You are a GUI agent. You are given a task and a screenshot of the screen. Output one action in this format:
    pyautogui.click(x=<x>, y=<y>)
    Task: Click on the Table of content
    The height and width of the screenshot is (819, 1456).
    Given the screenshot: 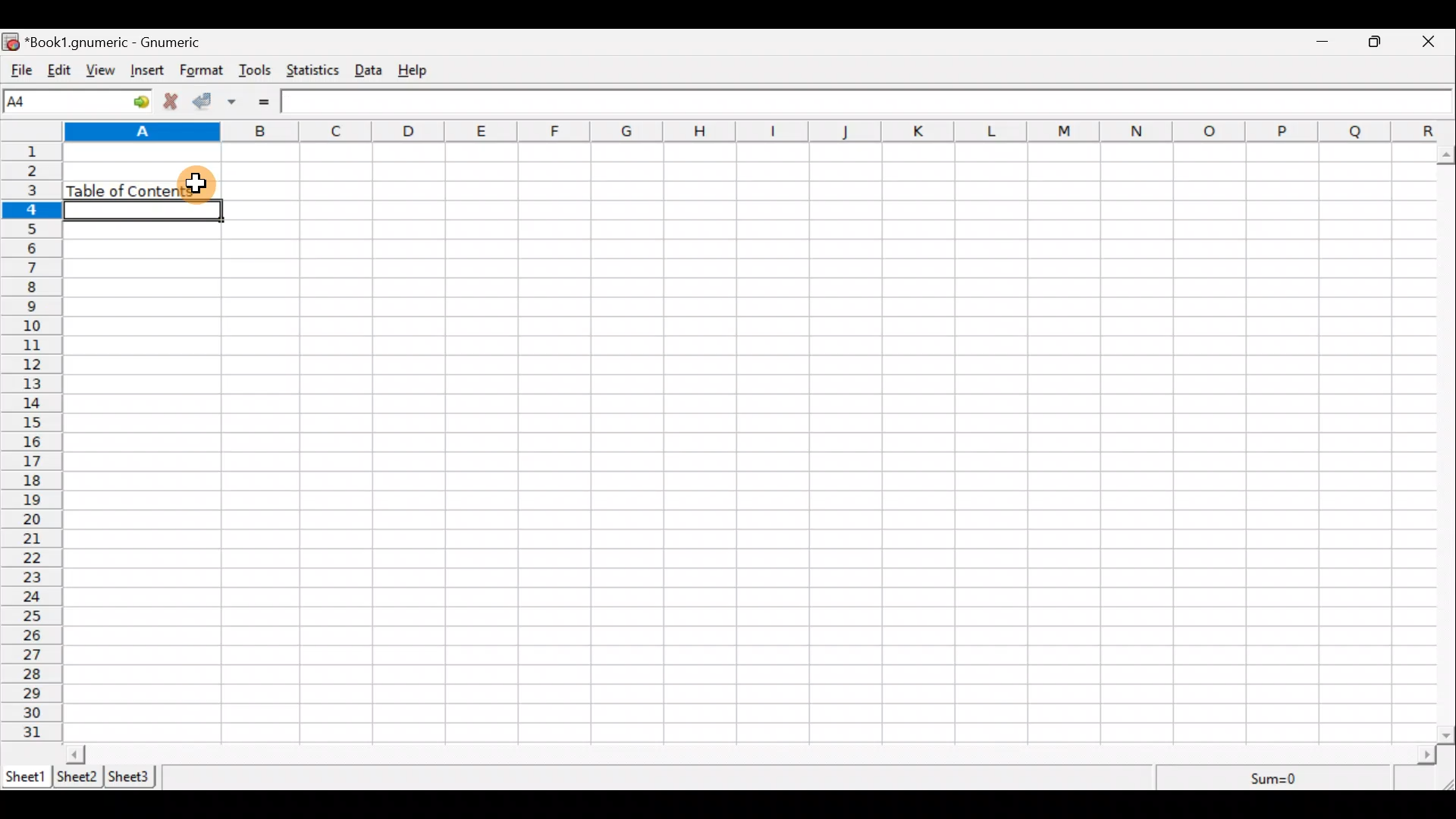 What is the action you would take?
    pyautogui.click(x=118, y=189)
    